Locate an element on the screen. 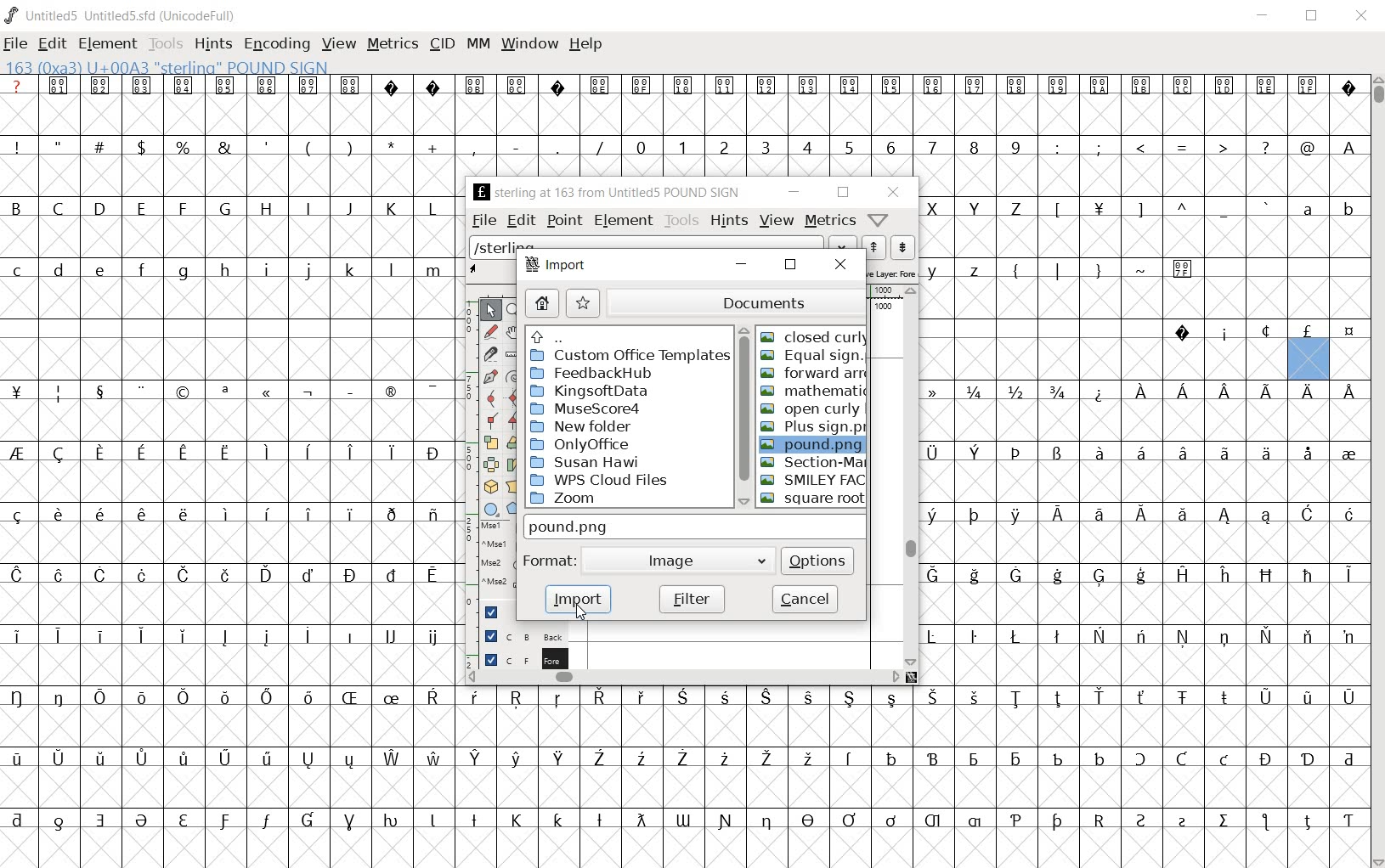  scrollbar is located at coordinates (685, 677).